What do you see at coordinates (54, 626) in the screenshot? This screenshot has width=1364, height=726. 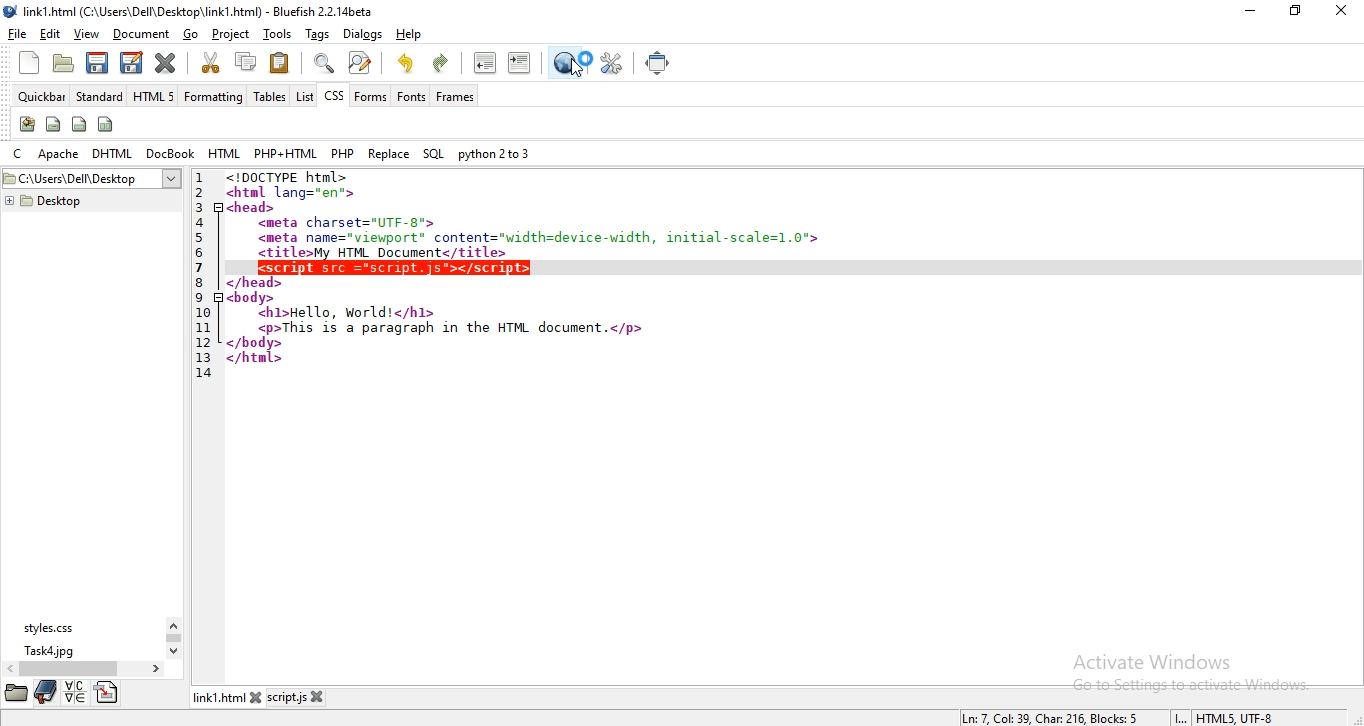 I see `styles` at bounding box center [54, 626].